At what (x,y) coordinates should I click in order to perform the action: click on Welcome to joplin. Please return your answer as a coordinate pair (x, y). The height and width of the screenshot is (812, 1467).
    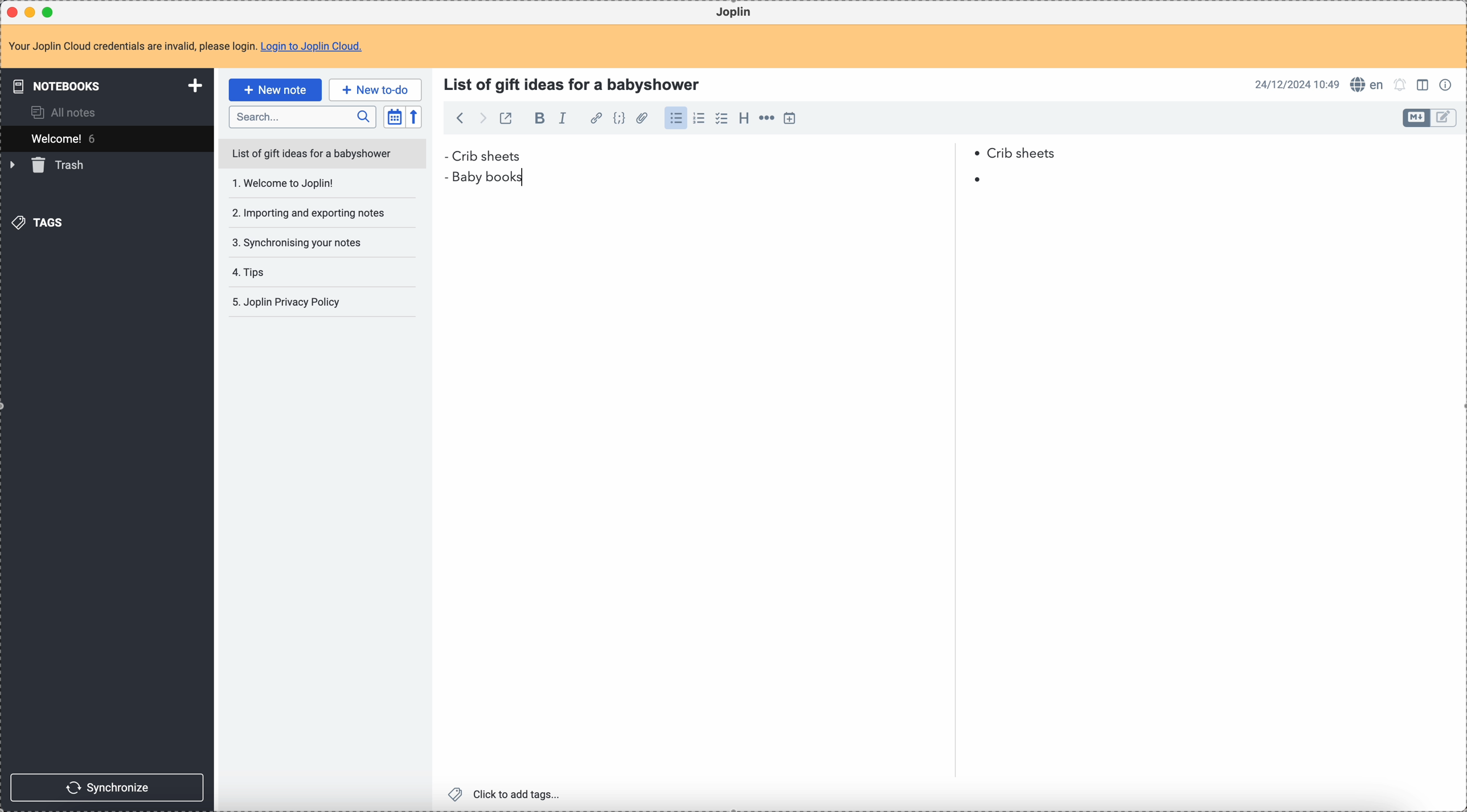
    Looking at the image, I should click on (310, 186).